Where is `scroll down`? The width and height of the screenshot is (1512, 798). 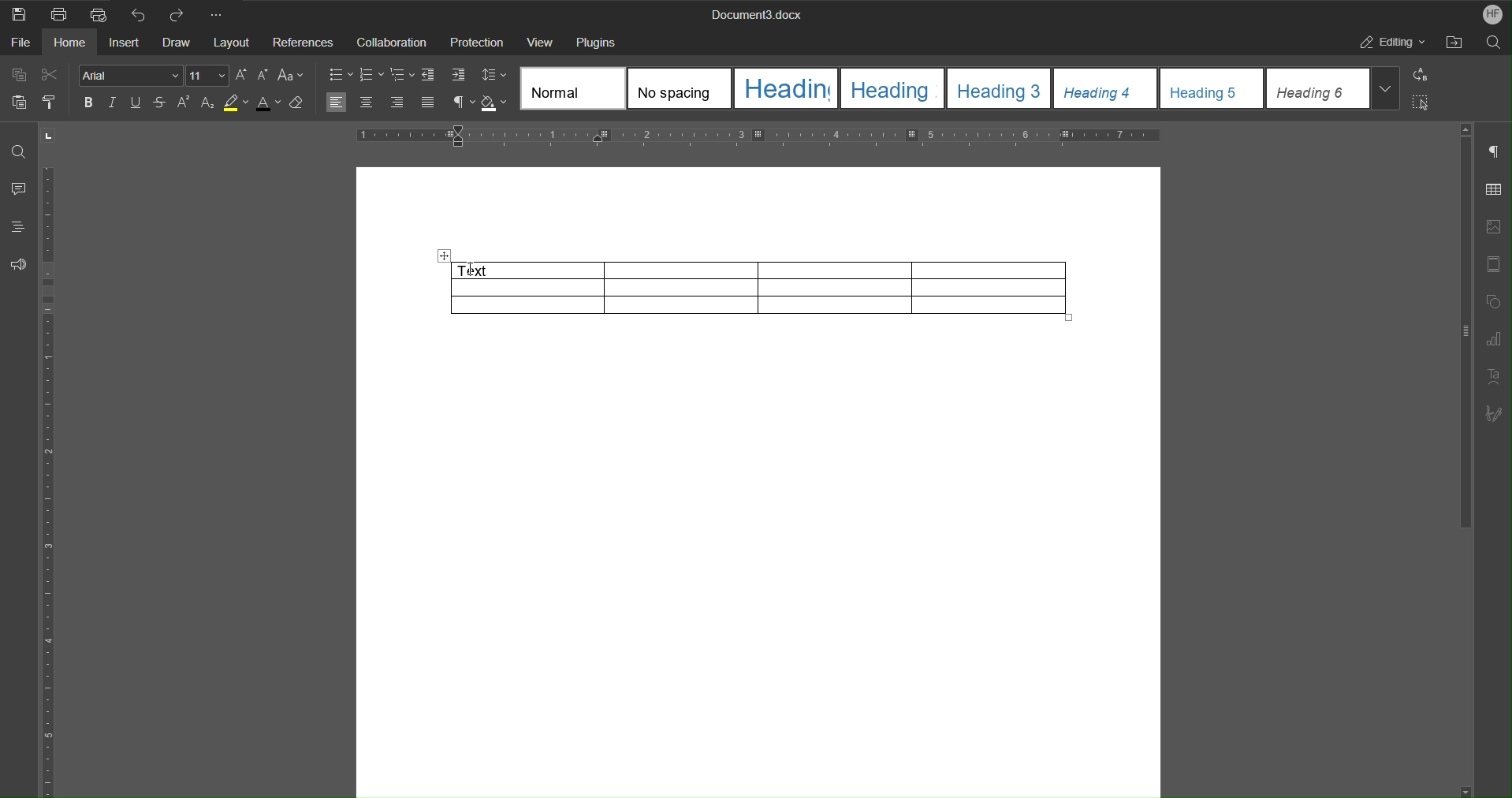
scroll down is located at coordinates (1467, 792).